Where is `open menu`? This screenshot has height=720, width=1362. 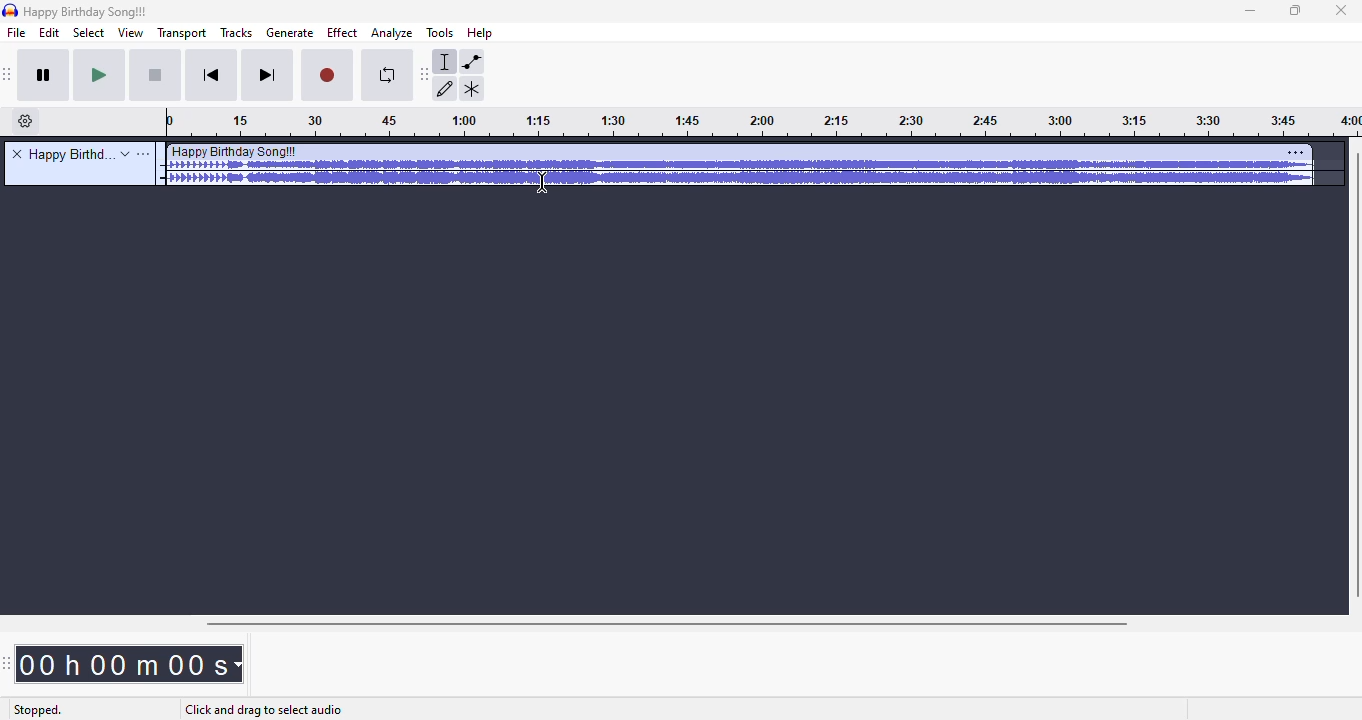
open menu is located at coordinates (144, 154).